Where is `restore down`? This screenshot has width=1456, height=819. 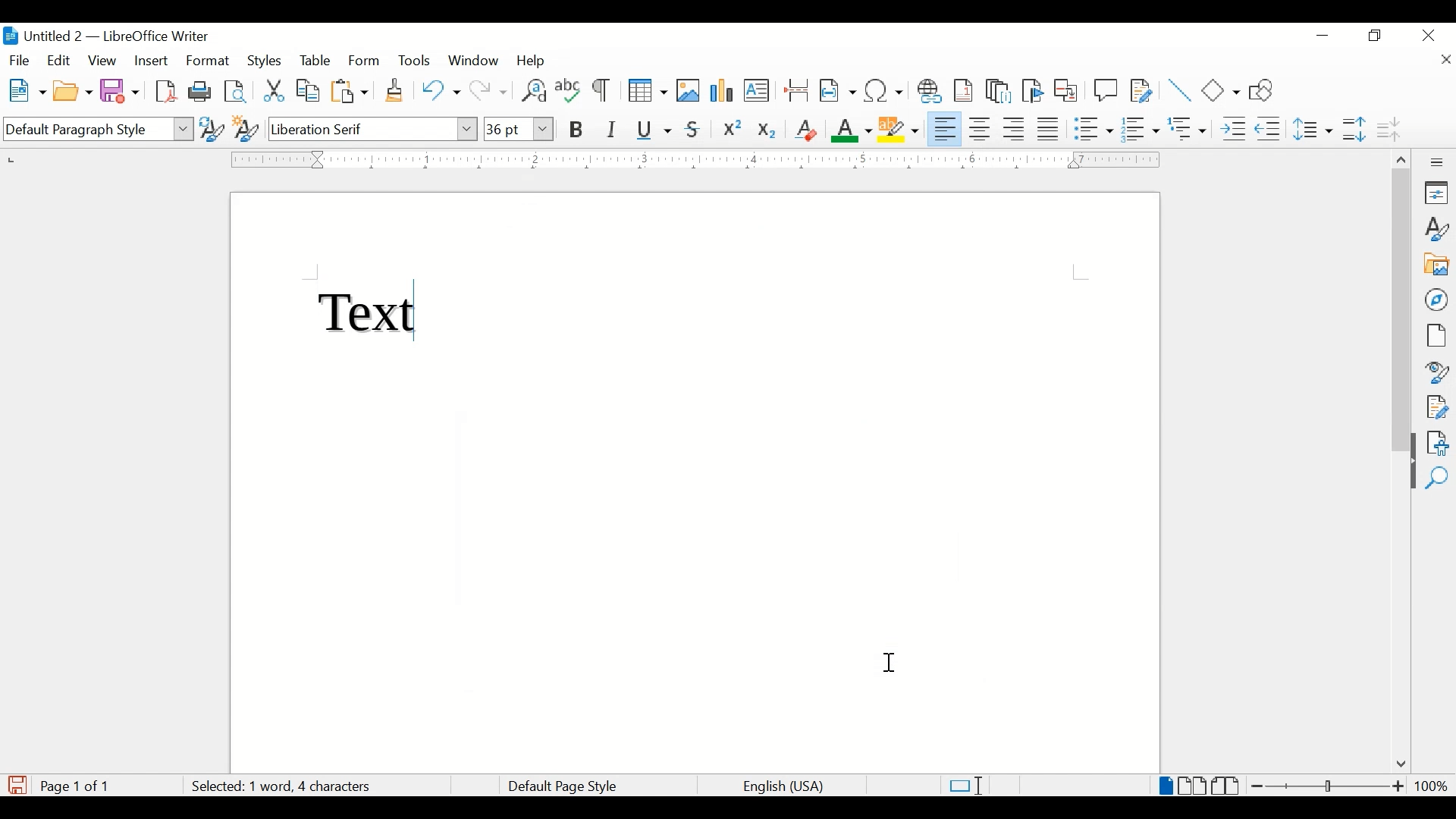
restore down is located at coordinates (1376, 36).